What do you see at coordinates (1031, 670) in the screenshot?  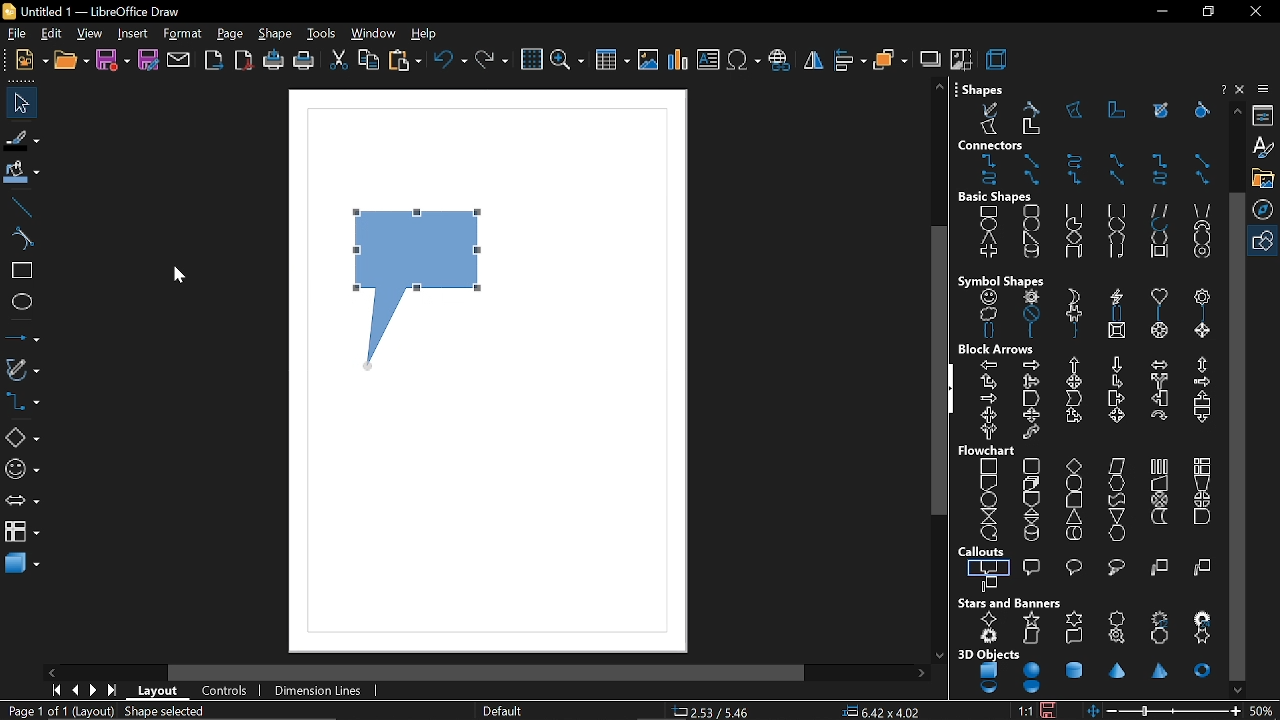 I see `sphere` at bounding box center [1031, 670].